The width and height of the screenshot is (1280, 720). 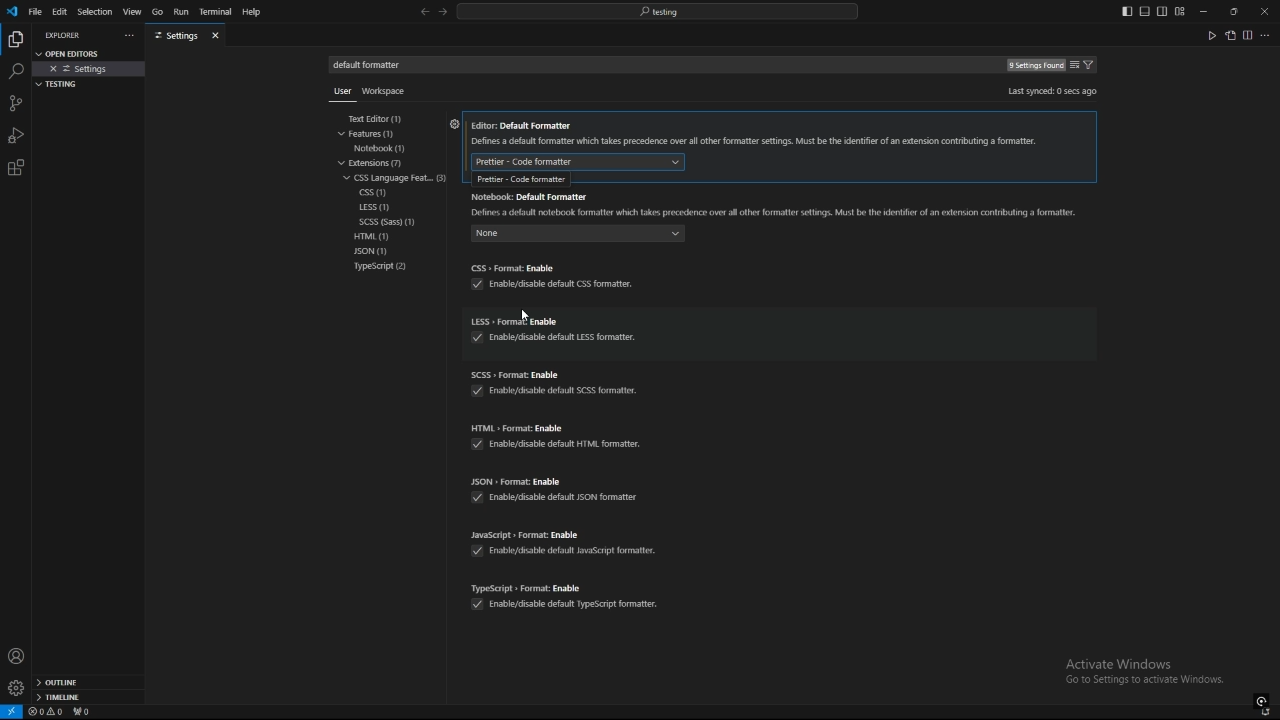 What do you see at coordinates (94, 12) in the screenshot?
I see `selection` at bounding box center [94, 12].